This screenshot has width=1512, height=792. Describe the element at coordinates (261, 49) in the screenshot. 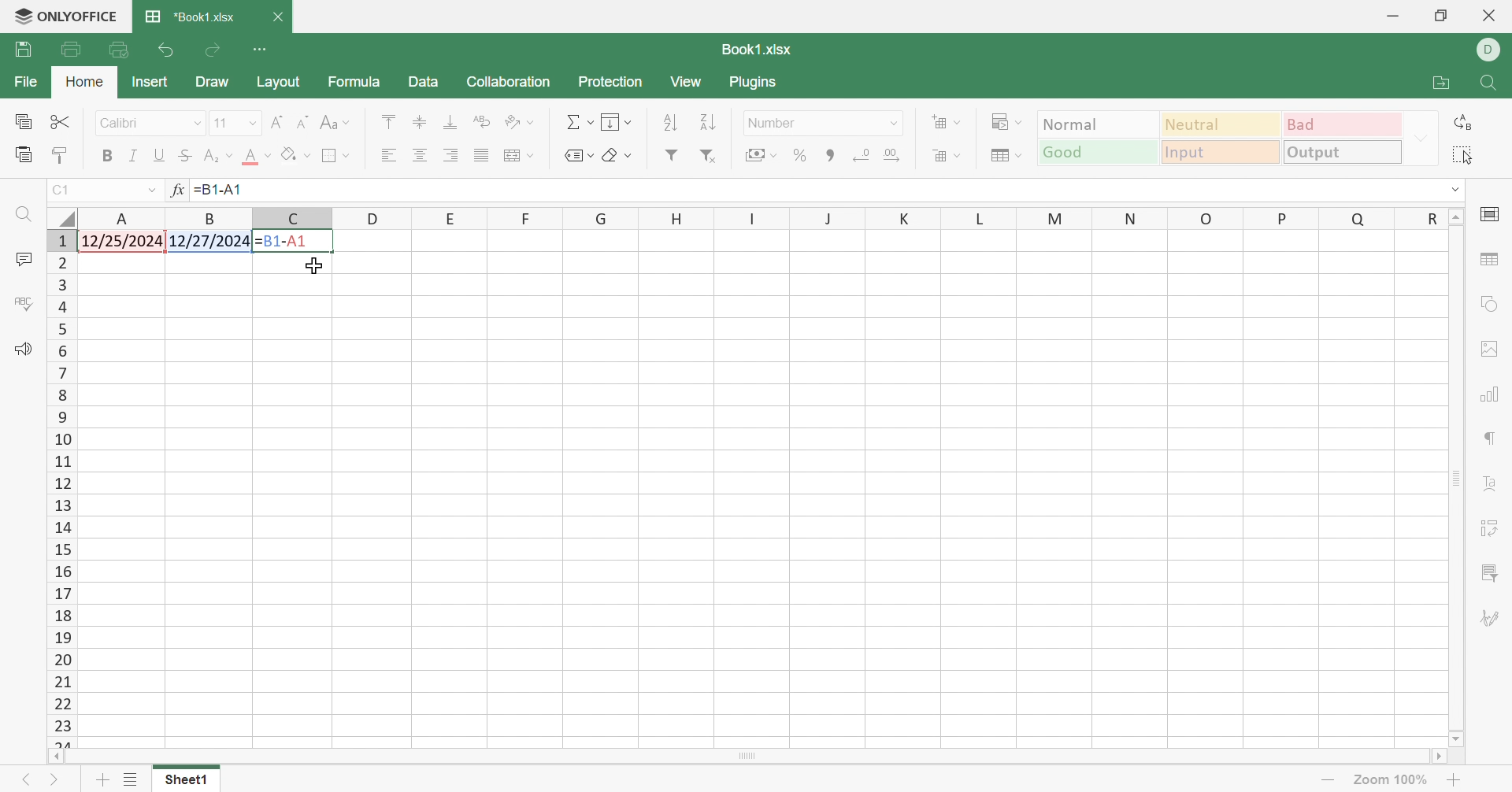

I see `Customize Quick Access Toolbar` at that location.